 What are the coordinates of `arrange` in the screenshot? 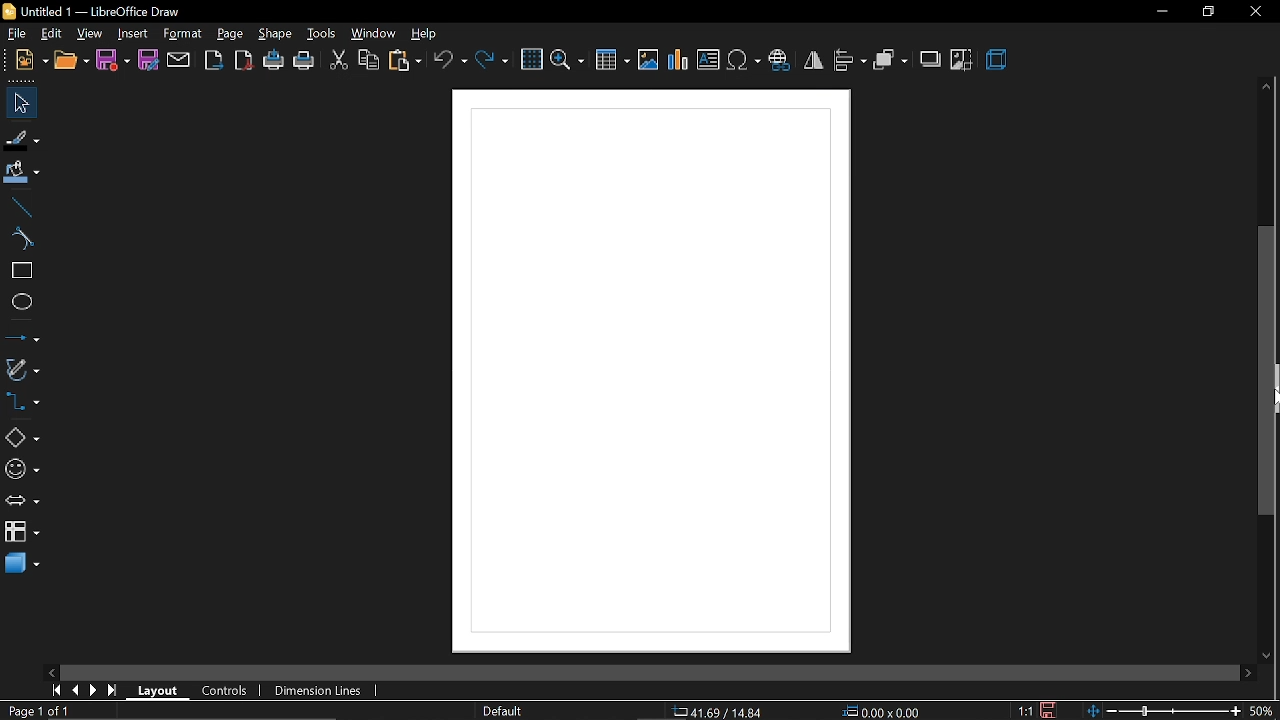 It's located at (890, 60).